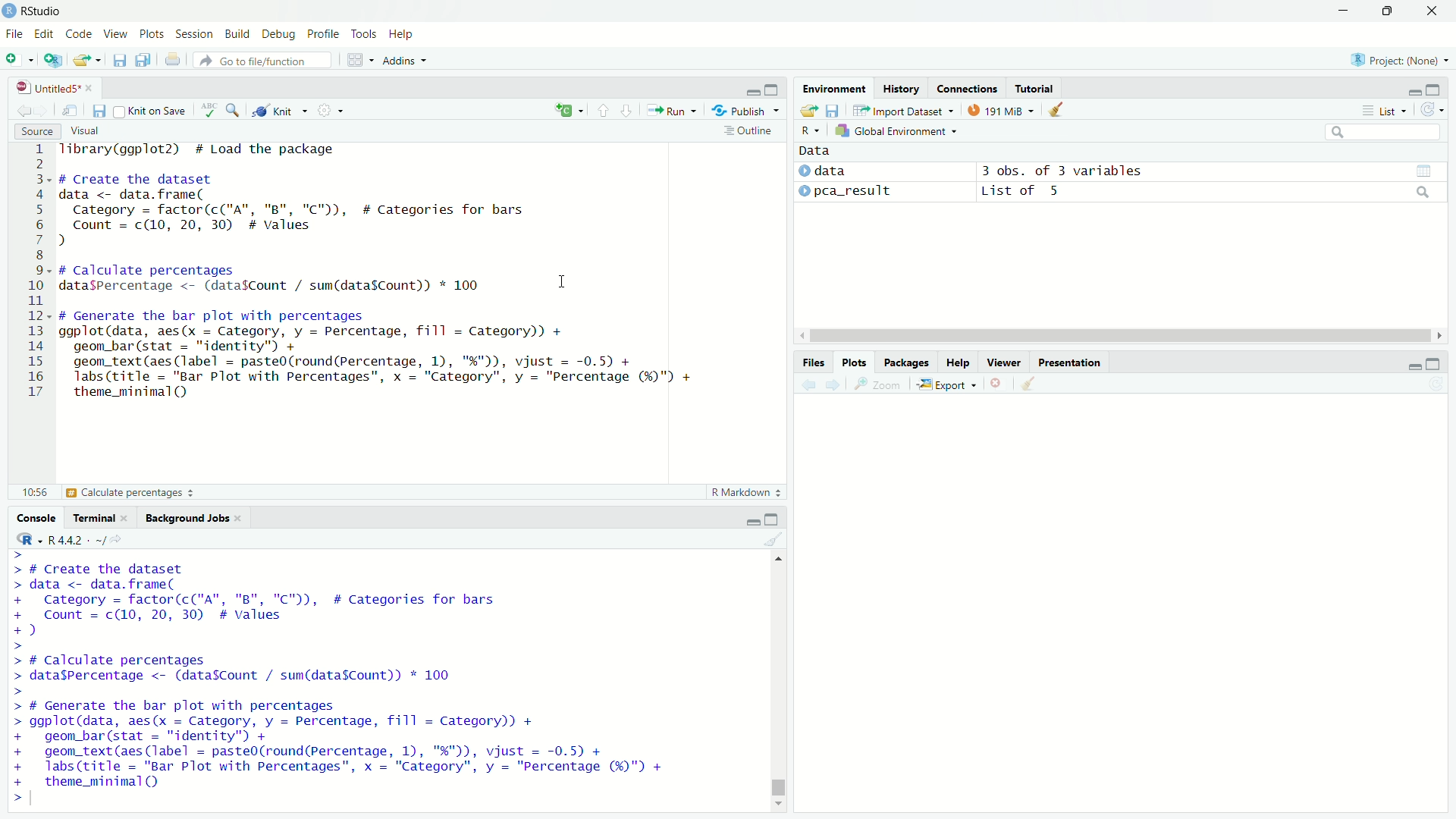  What do you see at coordinates (1433, 11) in the screenshot?
I see `close` at bounding box center [1433, 11].